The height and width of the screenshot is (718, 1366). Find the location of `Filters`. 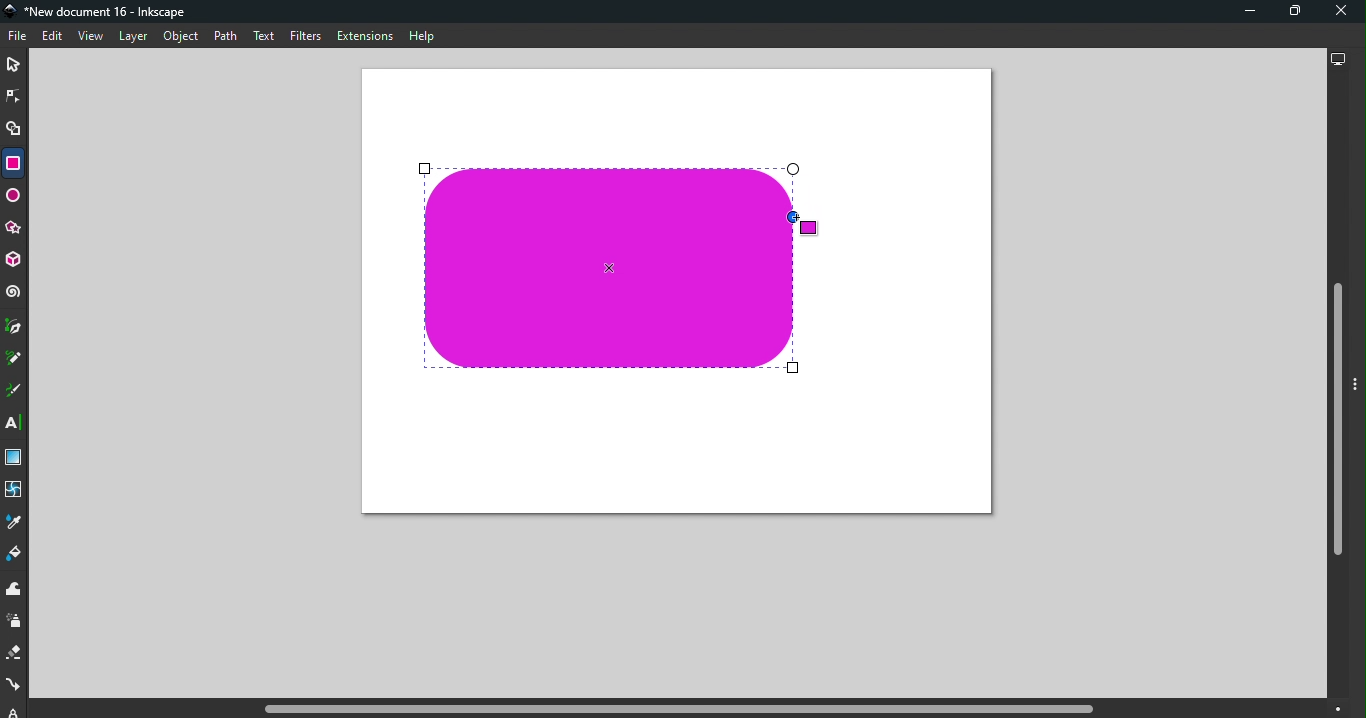

Filters is located at coordinates (306, 38).